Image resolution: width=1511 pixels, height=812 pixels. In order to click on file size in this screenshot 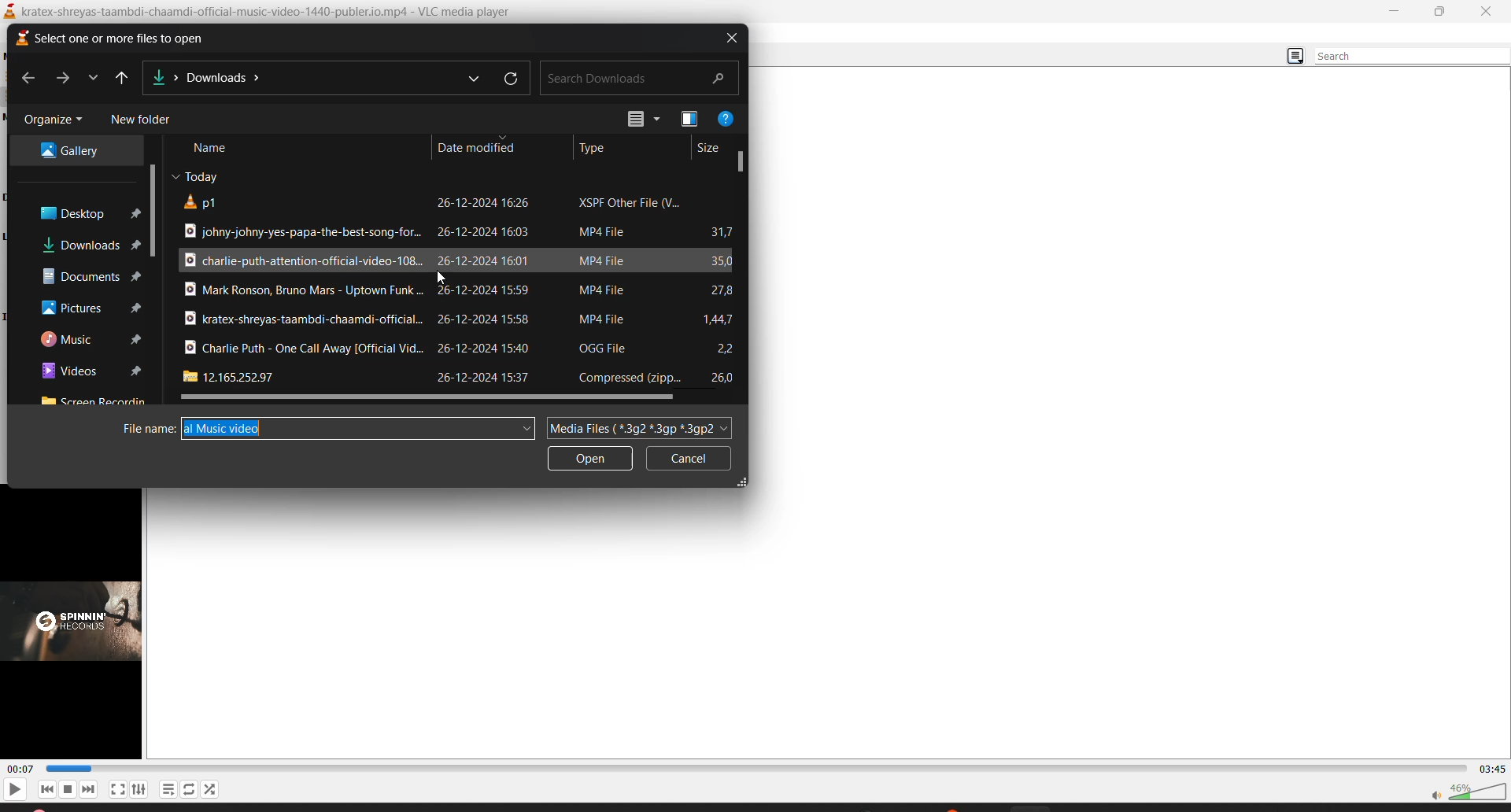, I will do `click(719, 231)`.